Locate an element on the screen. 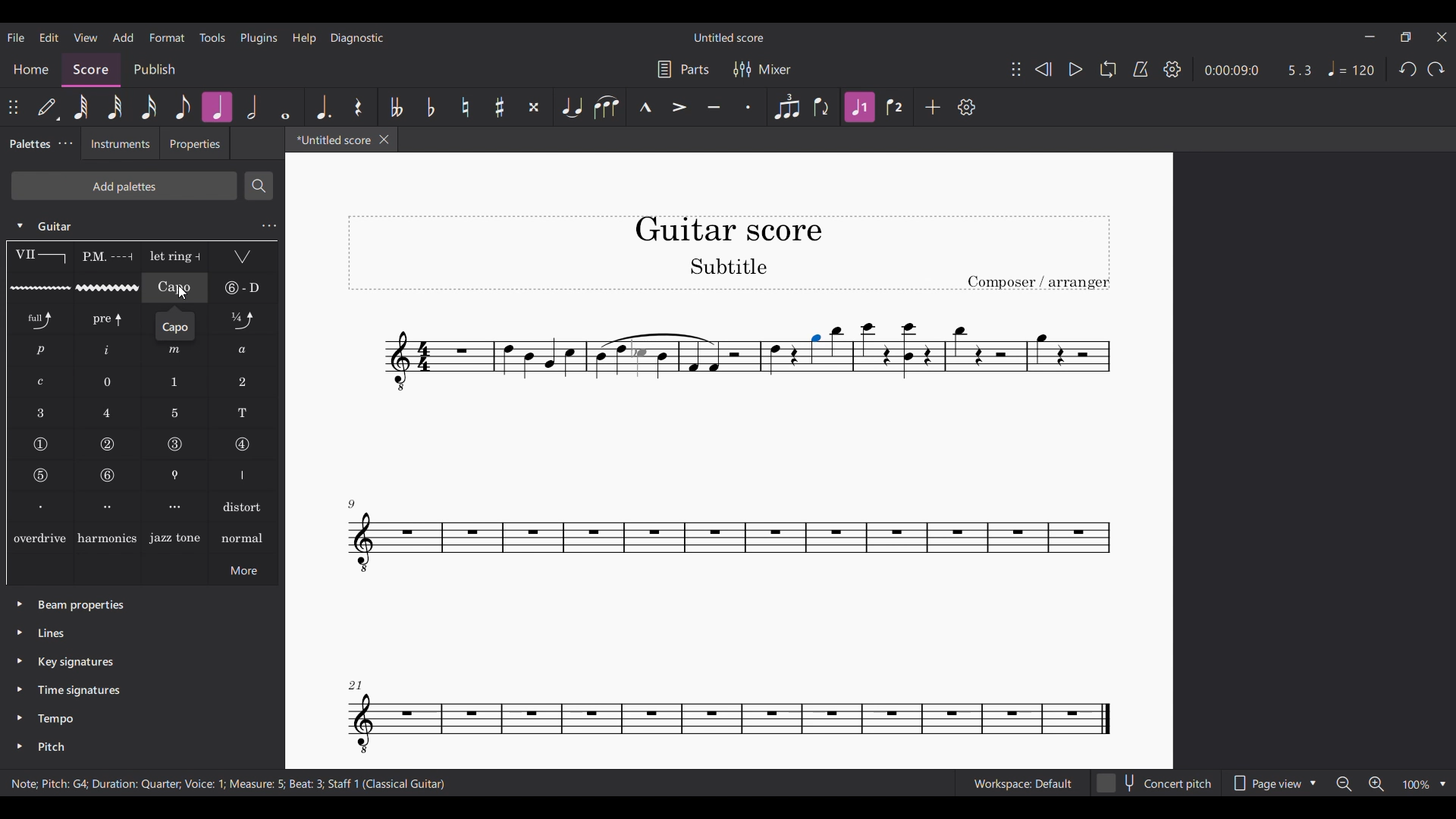  Concert pitch toggle is located at coordinates (1156, 783).